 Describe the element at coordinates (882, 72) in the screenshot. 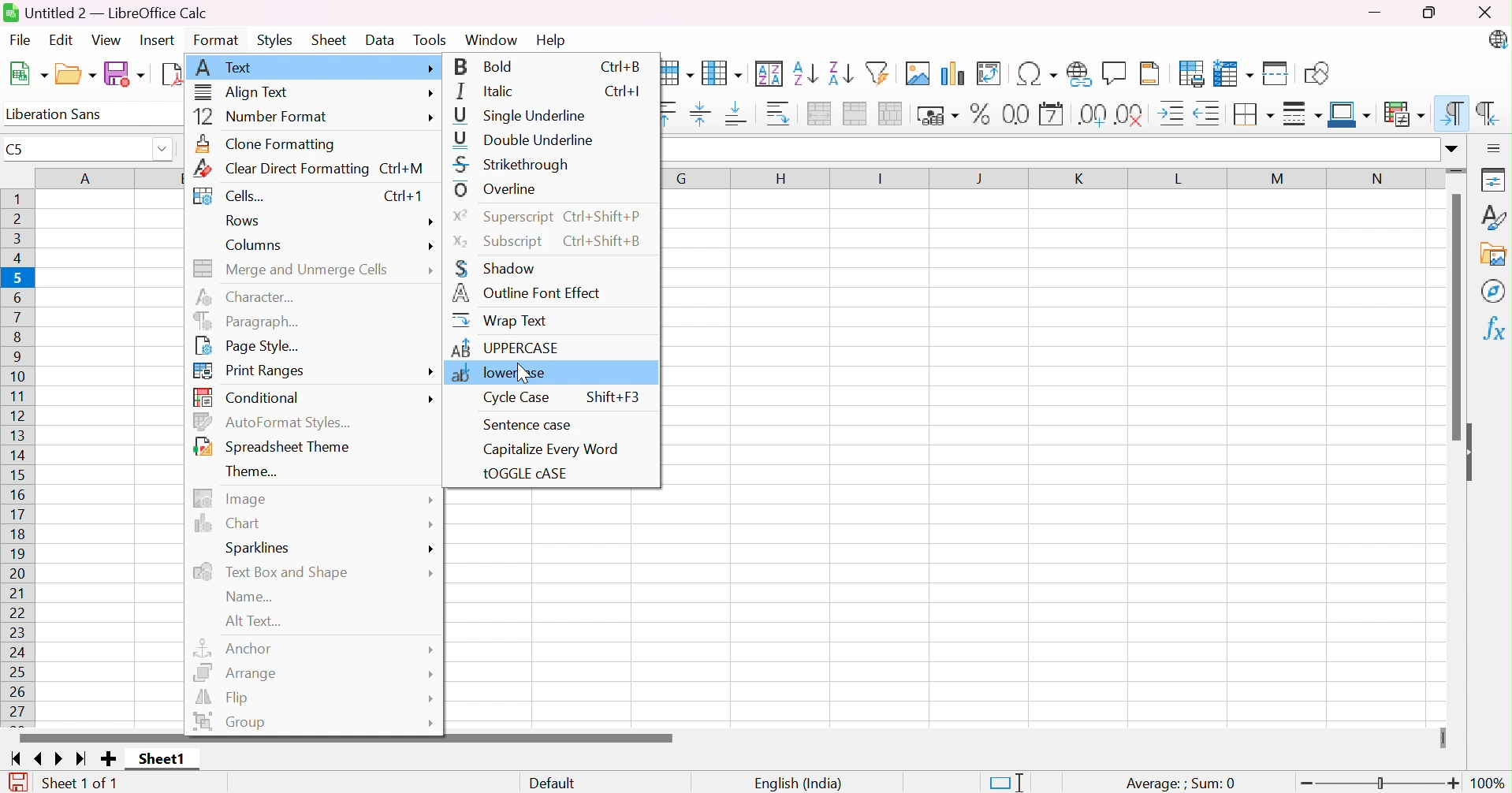

I see `AutoFilter` at that location.